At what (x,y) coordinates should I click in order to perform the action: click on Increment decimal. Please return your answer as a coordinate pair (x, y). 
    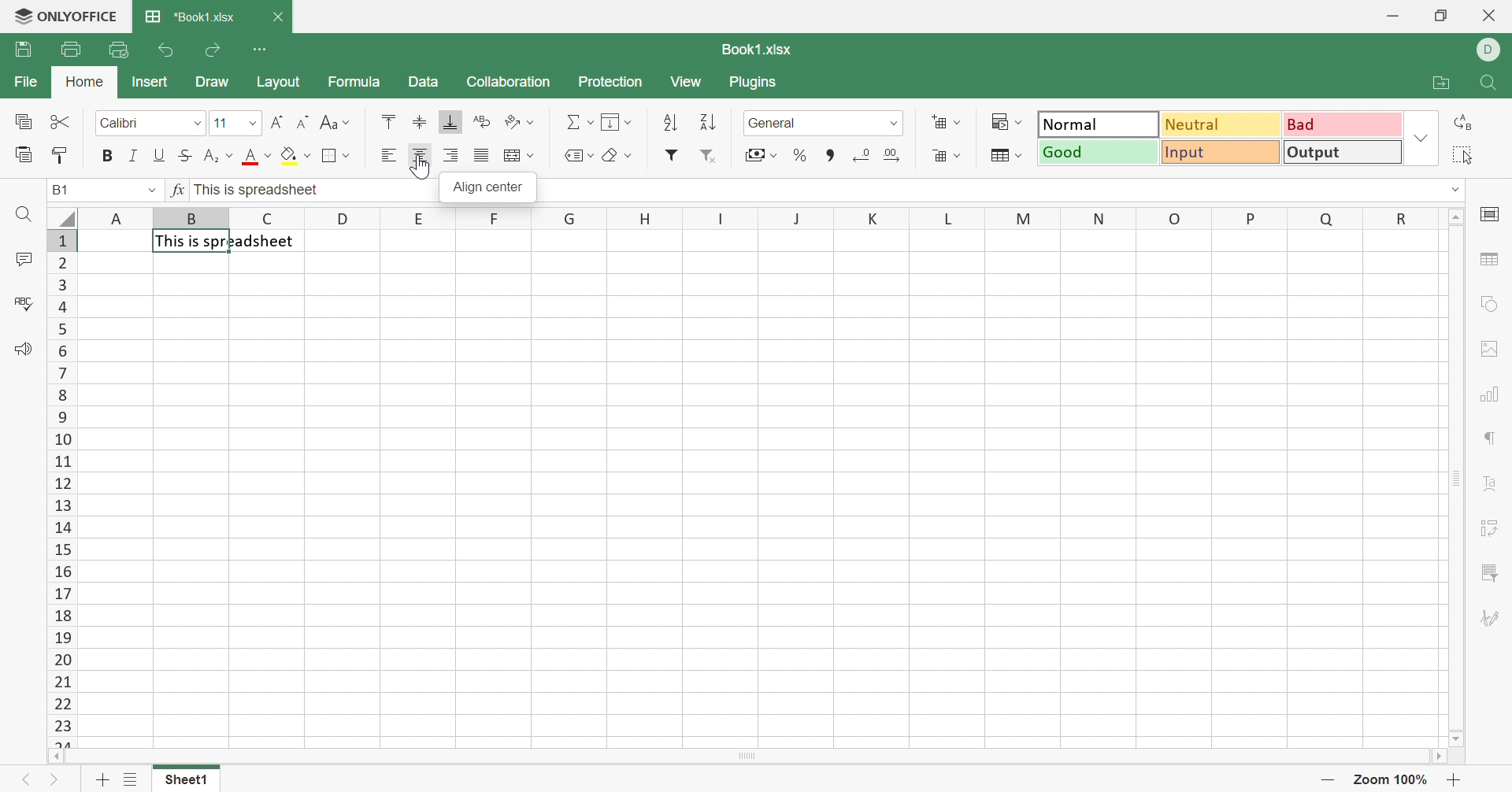
    Looking at the image, I should click on (892, 154).